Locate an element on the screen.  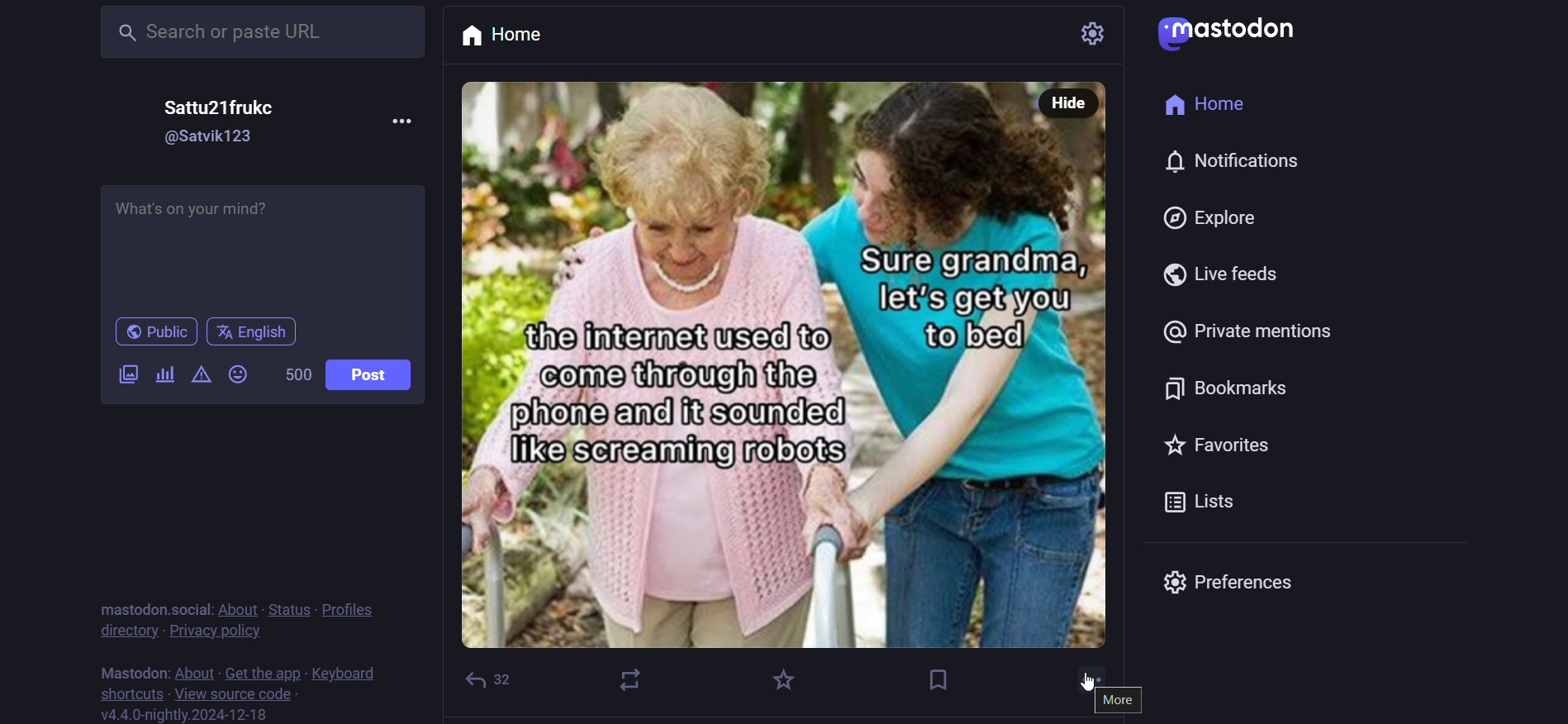
image is located at coordinates (791, 382).